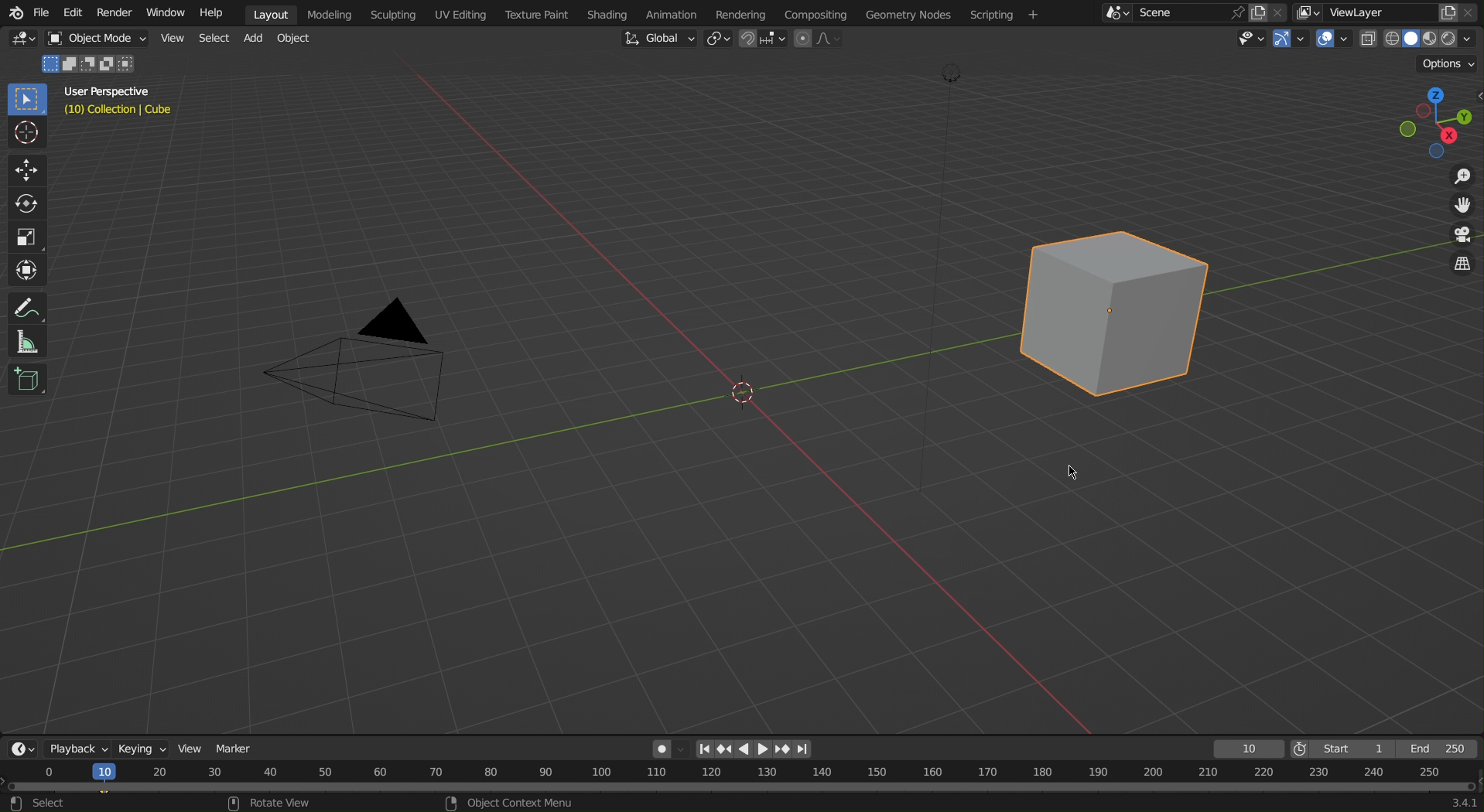 Image resolution: width=1484 pixels, height=812 pixels. I want to click on Blender, so click(13, 12).